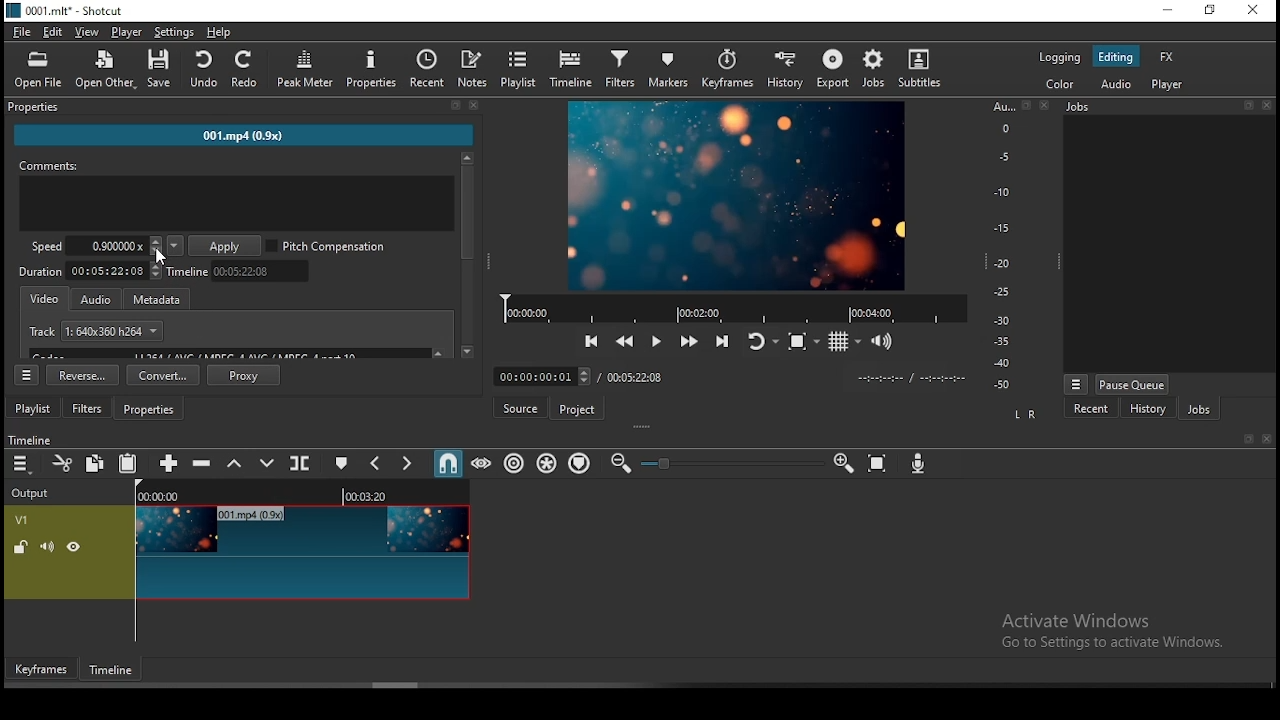 This screenshot has height=720, width=1280. What do you see at coordinates (256, 137) in the screenshot?
I see `001.mp4 (0.9x)` at bounding box center [256, 137].